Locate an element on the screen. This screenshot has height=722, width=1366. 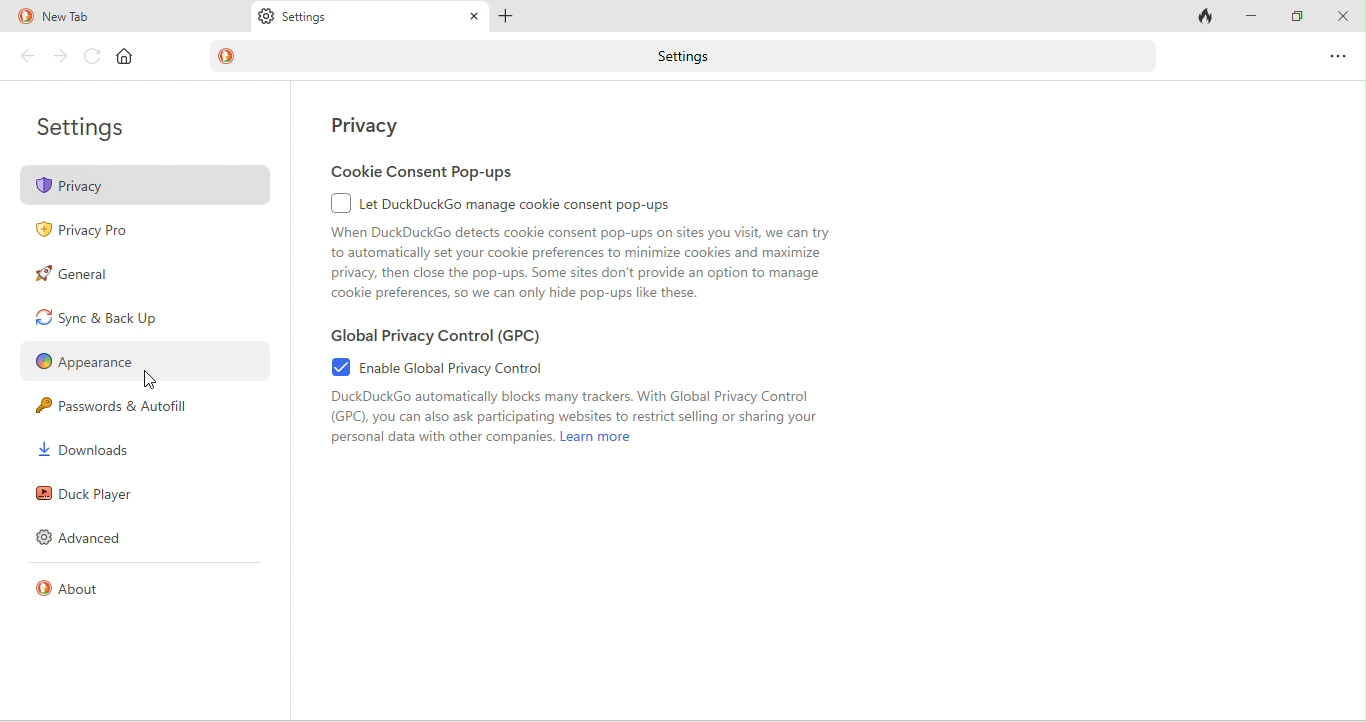
general is located at coordinates (102, 275).